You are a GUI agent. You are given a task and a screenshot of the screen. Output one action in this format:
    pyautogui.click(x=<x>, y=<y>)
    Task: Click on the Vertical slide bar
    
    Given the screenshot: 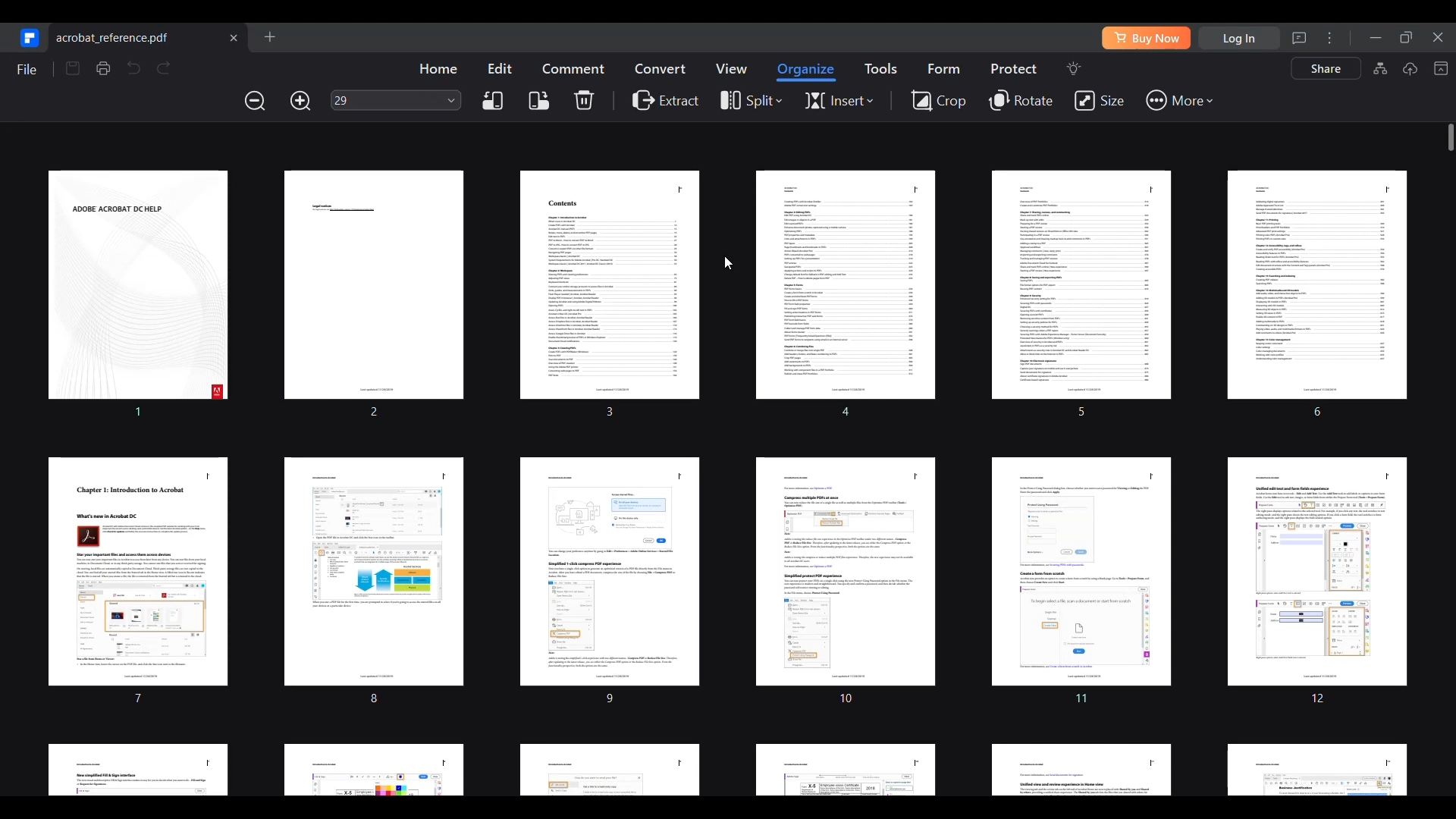 What is the action you would take?
    pyautogui.click(x=1457, y=136)
    